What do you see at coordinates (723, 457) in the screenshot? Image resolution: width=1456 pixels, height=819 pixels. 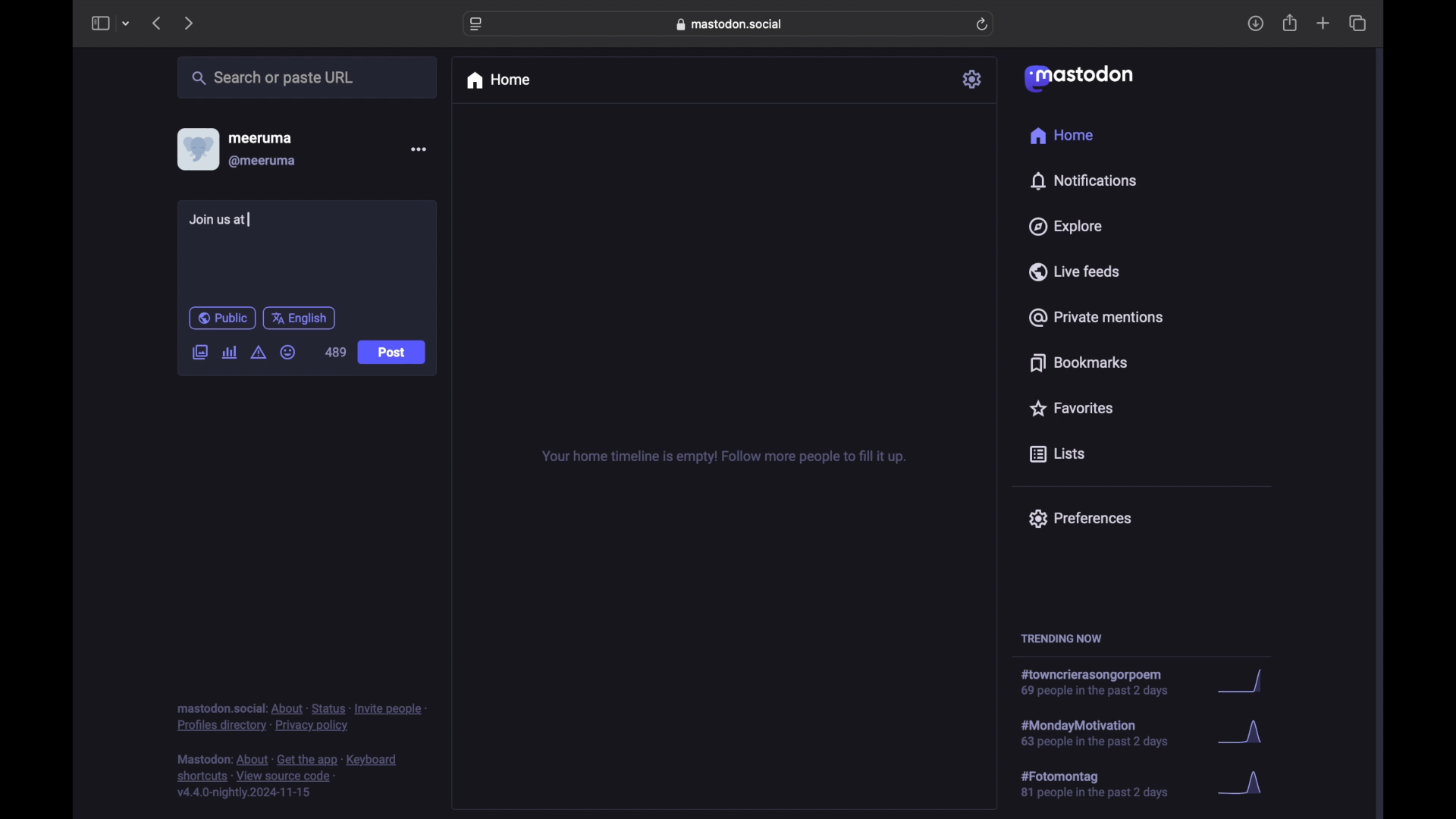 I see `your home timeline is empty! follow more people to fill it up` at bounding box center [723, 457].